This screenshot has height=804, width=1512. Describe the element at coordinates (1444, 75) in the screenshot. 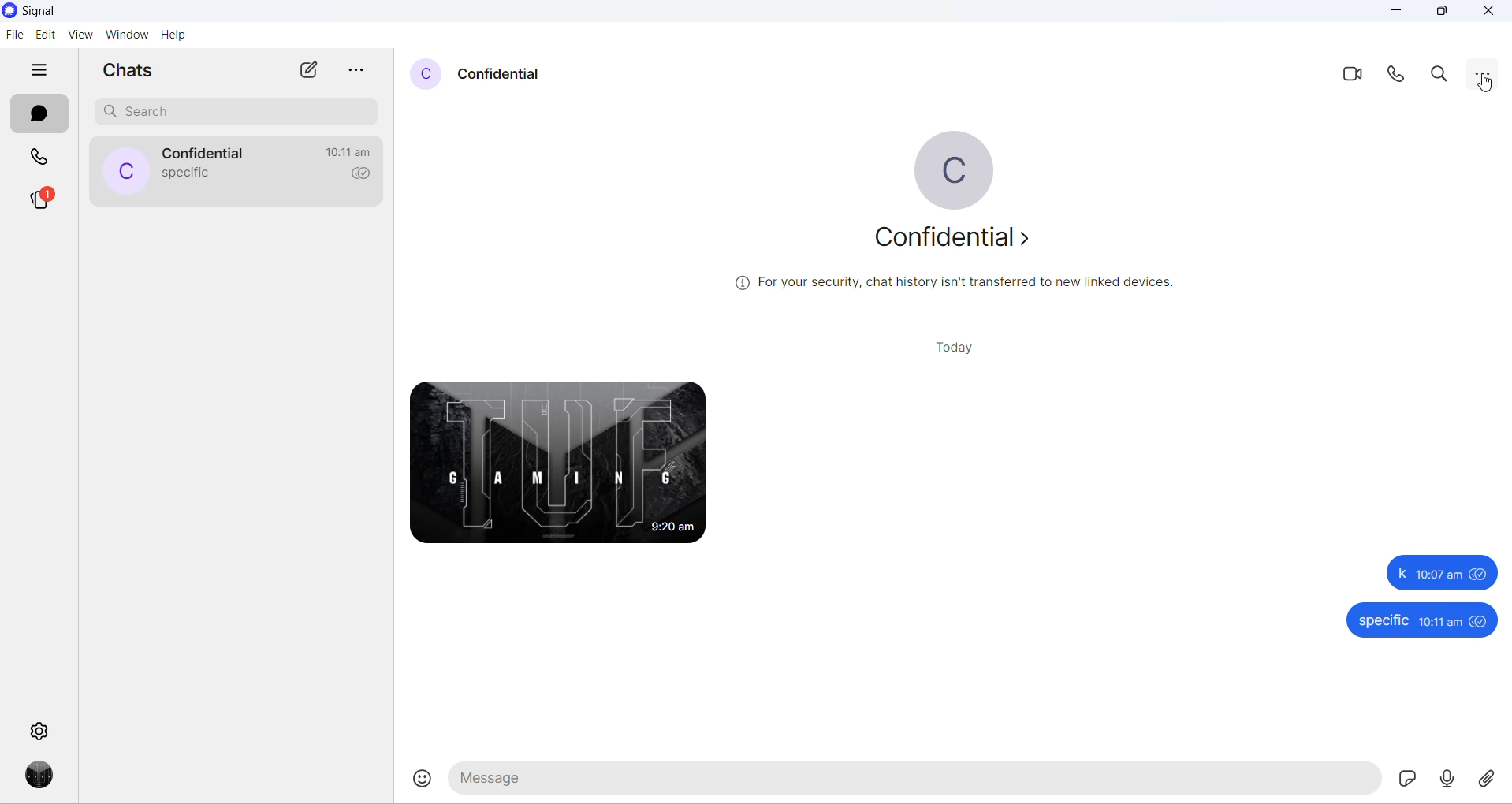

I see `search in chat` at that location.